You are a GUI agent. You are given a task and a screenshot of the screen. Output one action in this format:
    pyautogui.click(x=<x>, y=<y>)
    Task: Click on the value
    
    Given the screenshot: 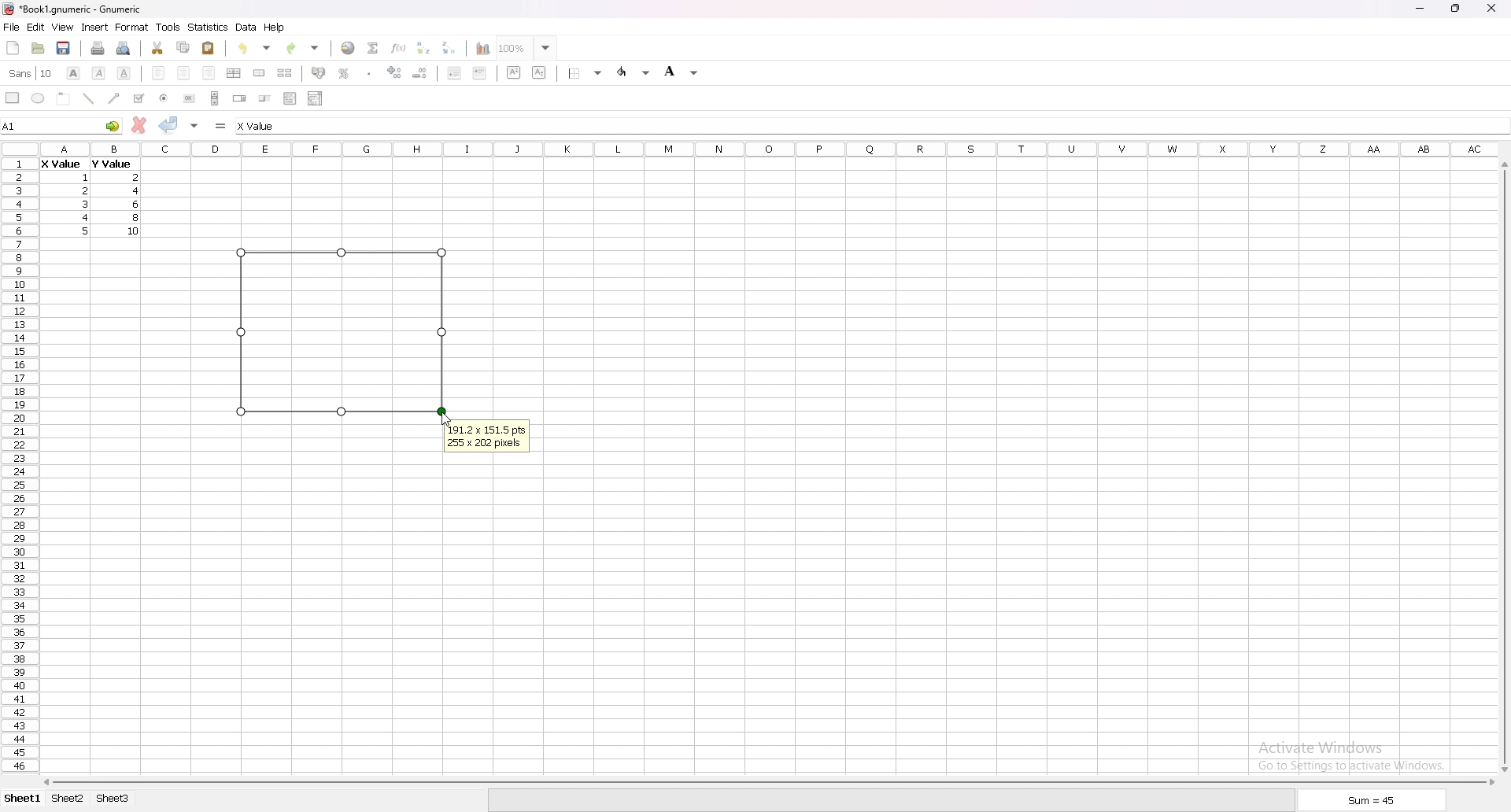 What is the action you would take?
    pyautogui.click(x=87, y=178)
    